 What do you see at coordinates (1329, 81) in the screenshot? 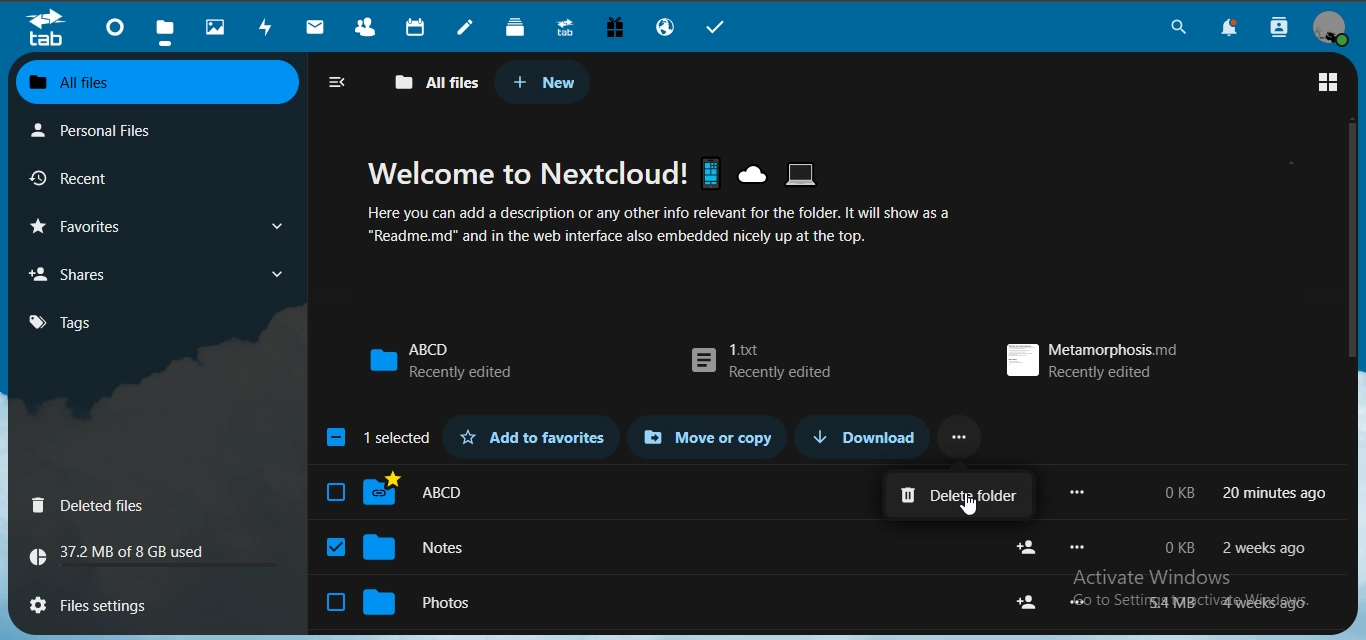
I see `grid view` at bounding box center [1329, 81].